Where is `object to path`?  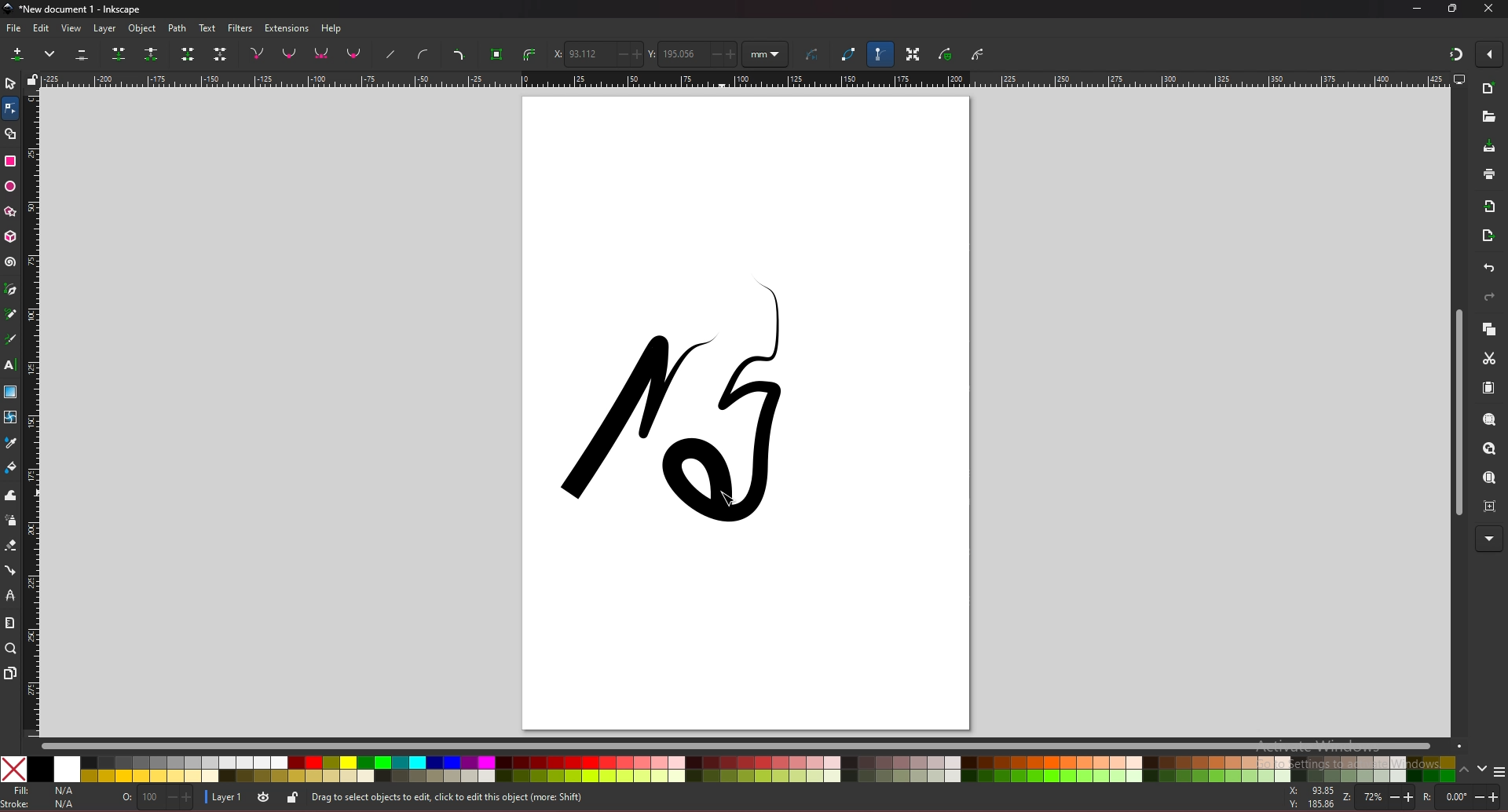
object to path is located at coordinates (499, 55).